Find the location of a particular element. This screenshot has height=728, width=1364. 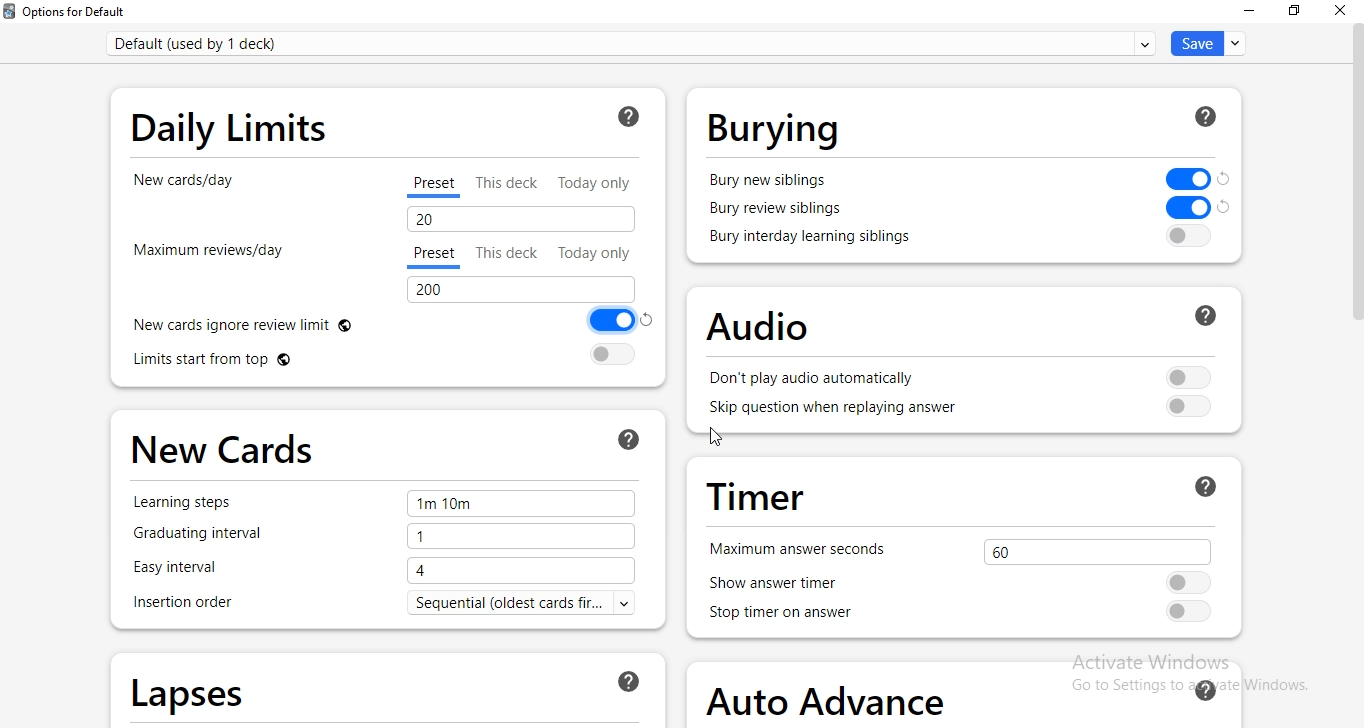

bury new siblings is located at coordinates (771, 177).